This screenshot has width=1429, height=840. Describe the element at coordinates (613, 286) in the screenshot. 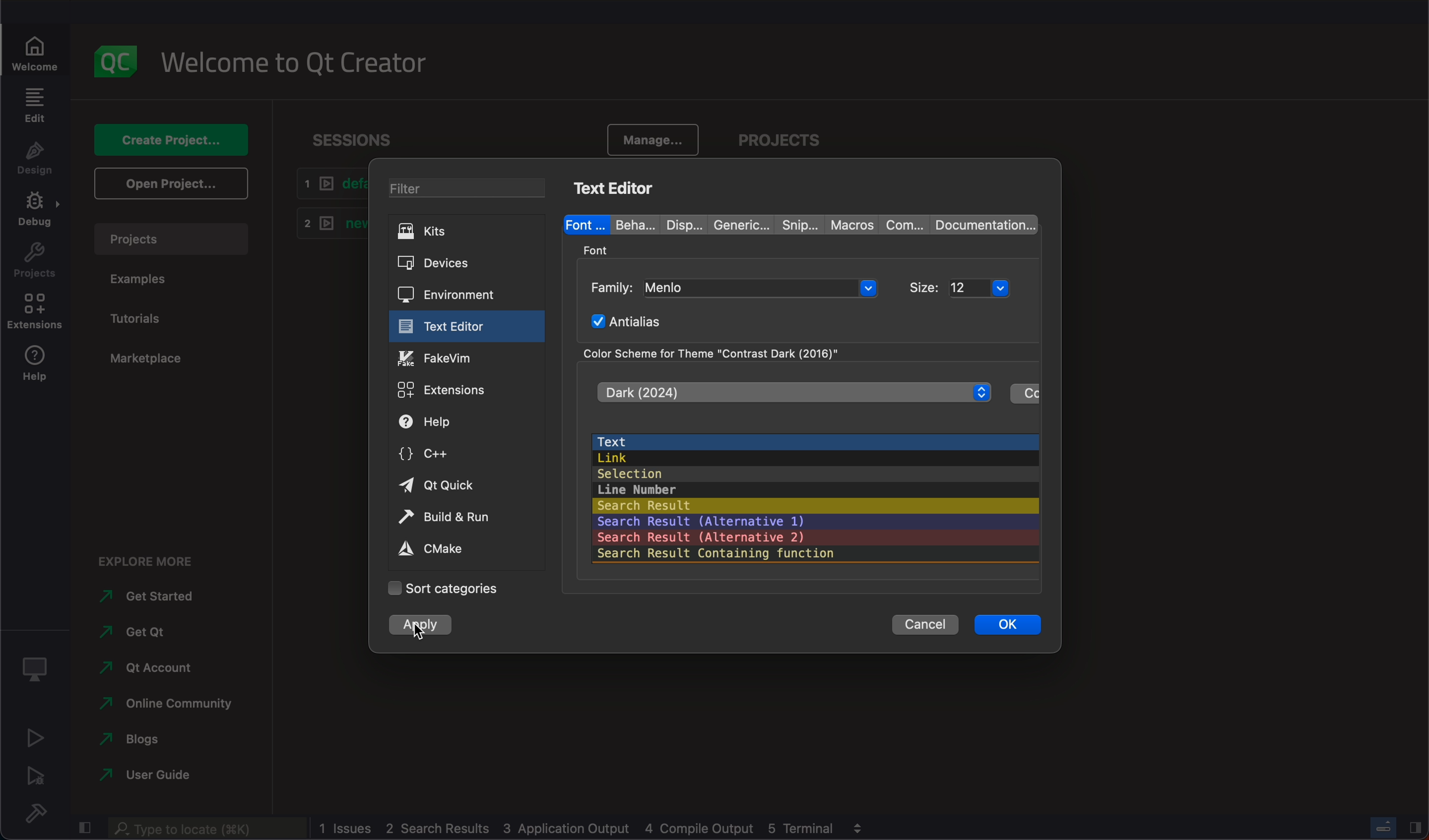

I see `family:` at that location.